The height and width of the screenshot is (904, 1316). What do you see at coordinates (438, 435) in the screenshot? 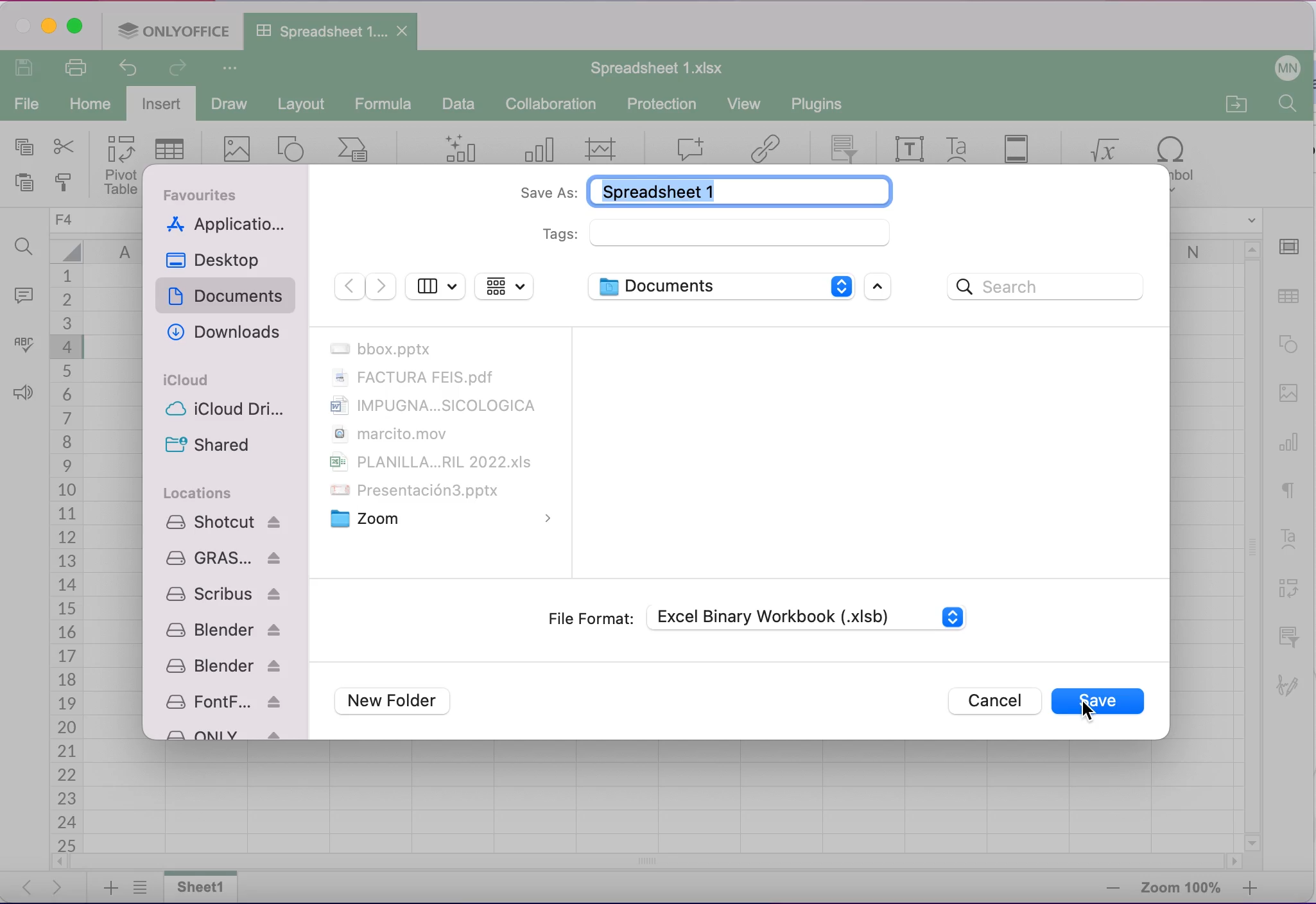
I see `documents` at bounding box center [438, 435].